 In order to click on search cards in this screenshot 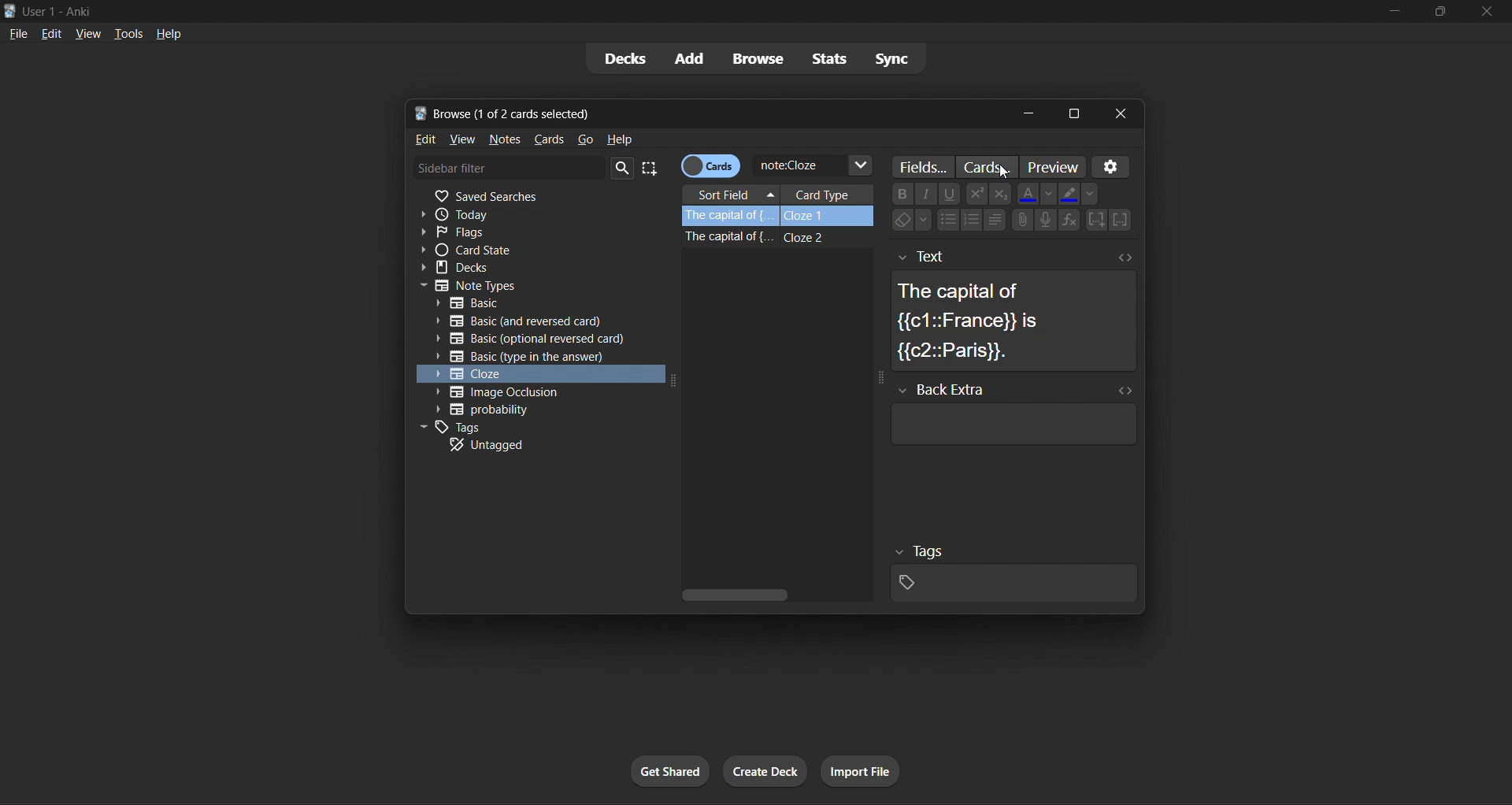, I will do `click(813, 166)`.